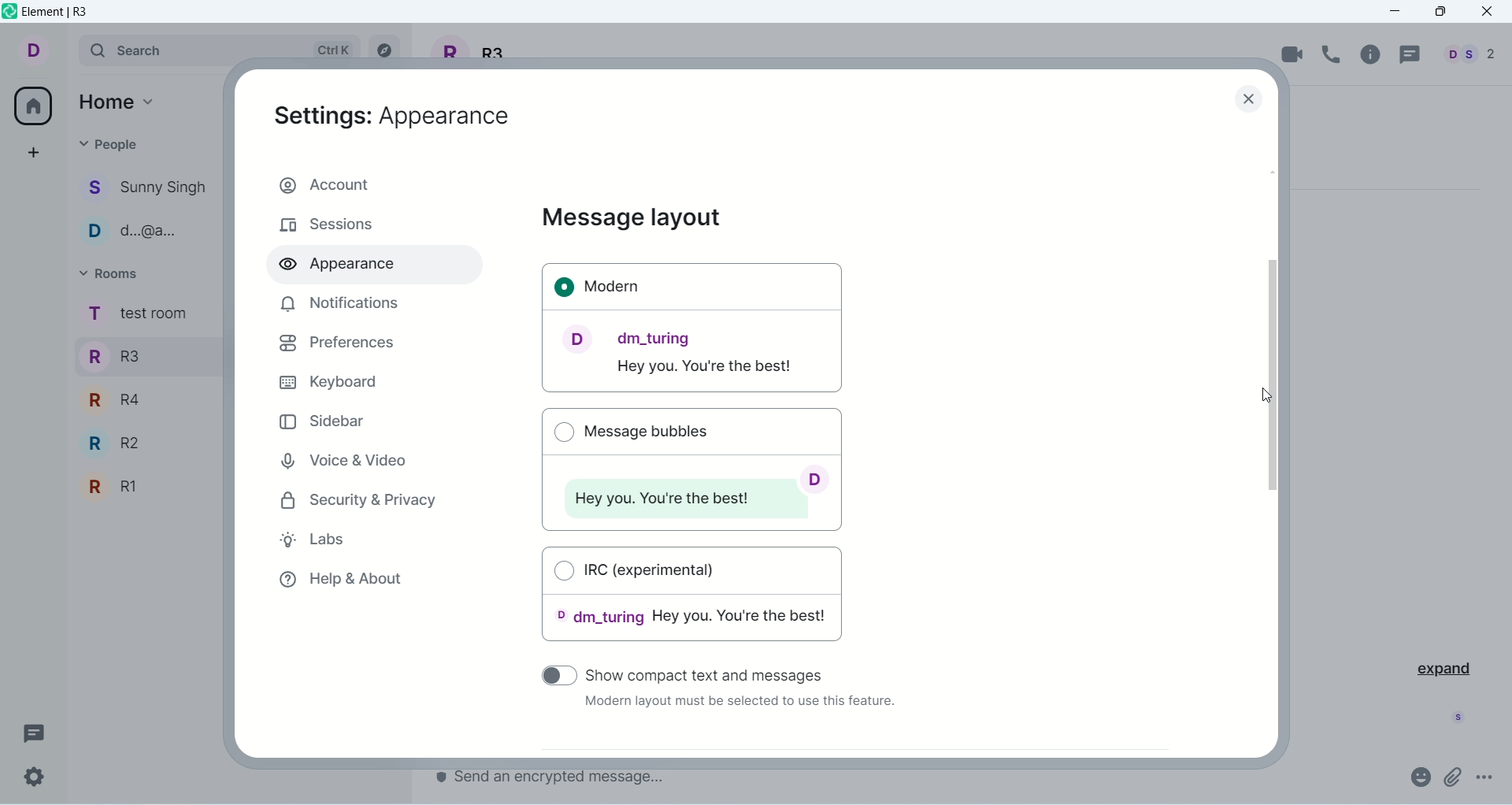 Image resolution: width=1512 pixels, height=805 pixels. Describe the element at coordinates (1440, 13) in the screenshot. I see `maximize` at that location.